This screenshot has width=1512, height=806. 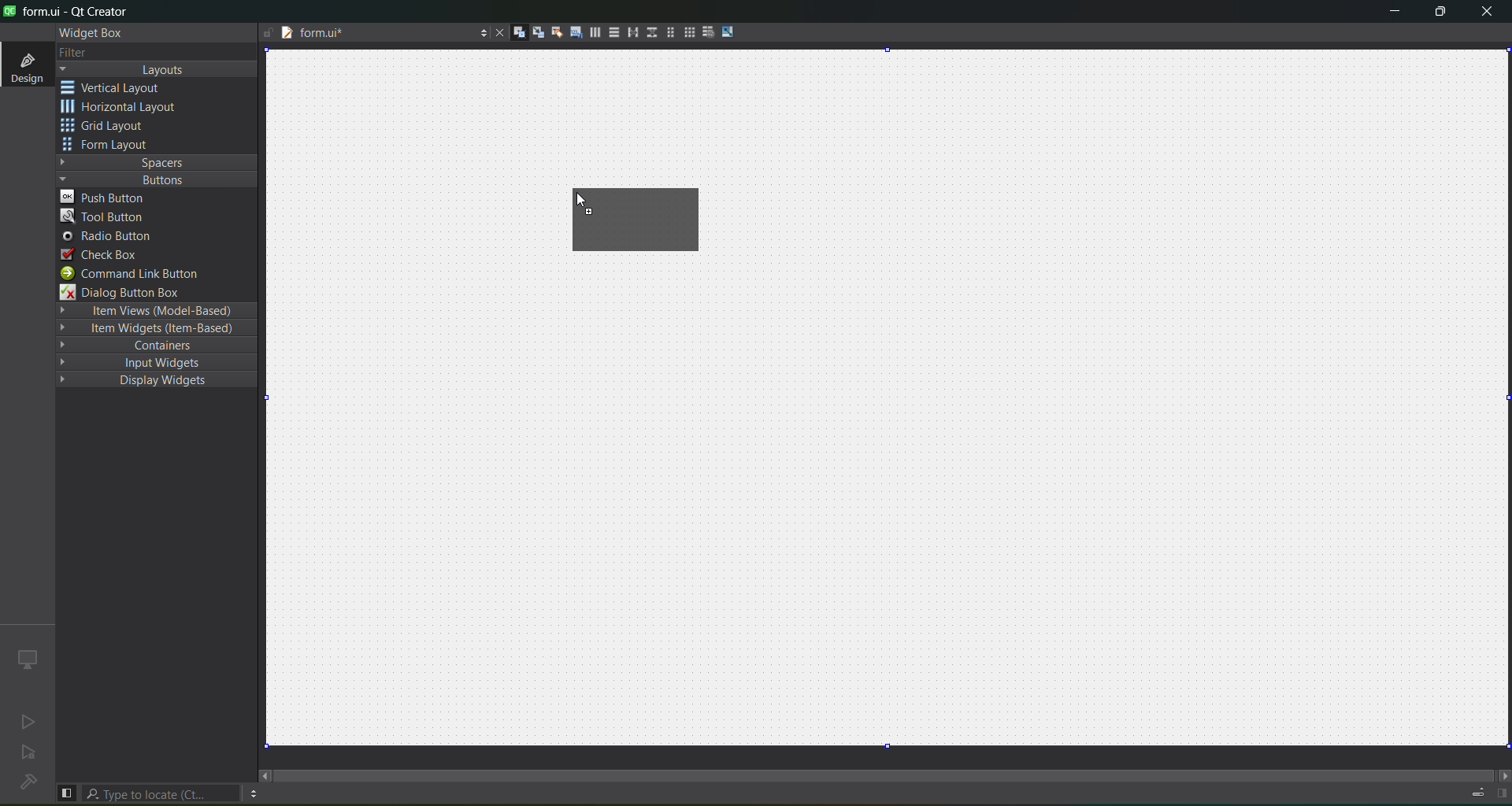 I want to click on layout, so click(x=160, y=70).